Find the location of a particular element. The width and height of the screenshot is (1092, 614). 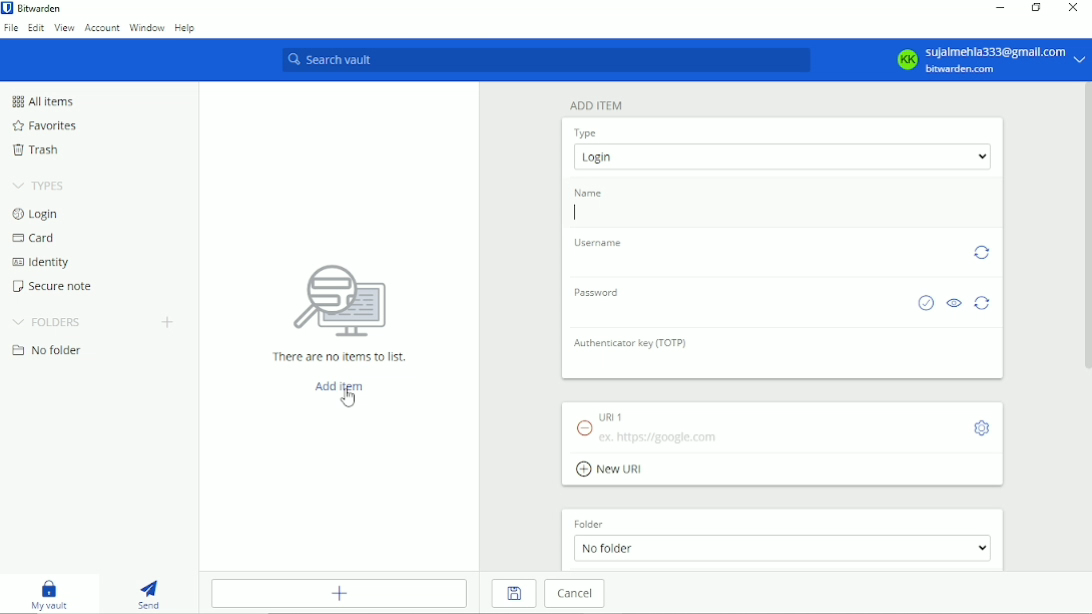

File is located at coordinates (10, 31).